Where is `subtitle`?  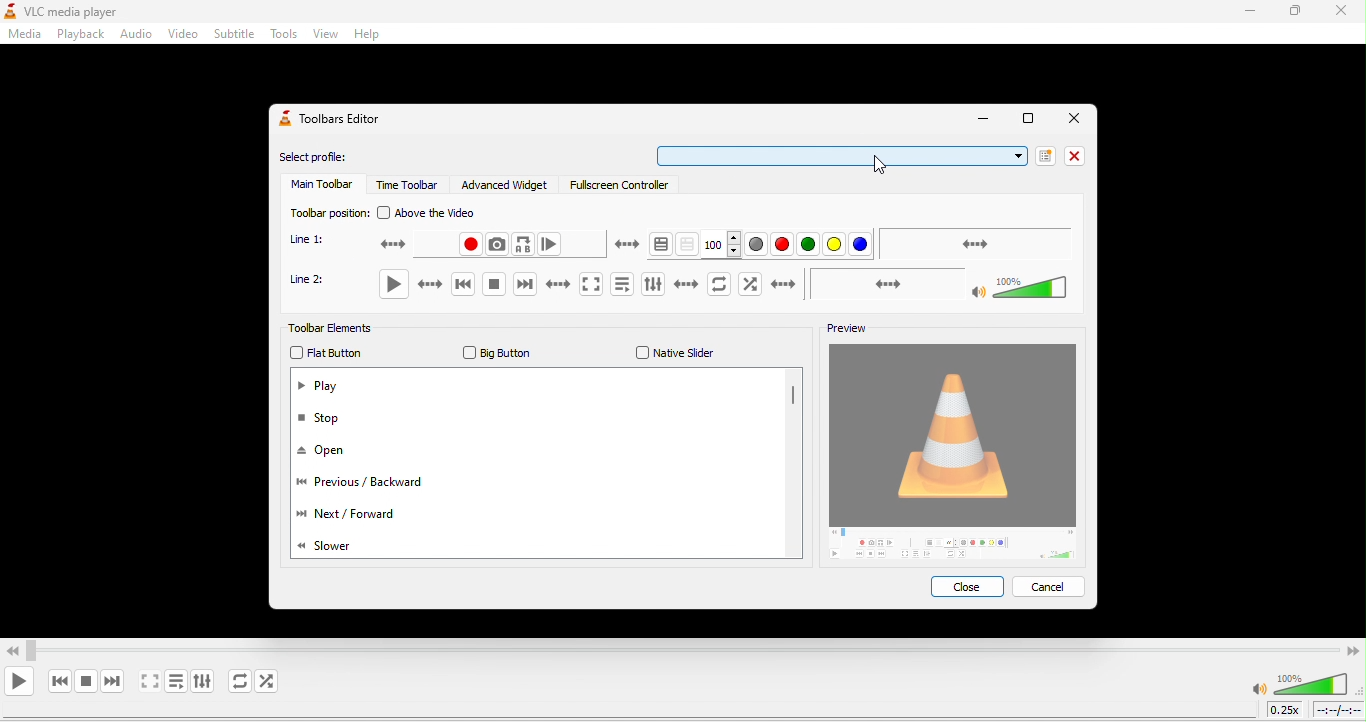 subtitle is located at coordinates (233, 33).